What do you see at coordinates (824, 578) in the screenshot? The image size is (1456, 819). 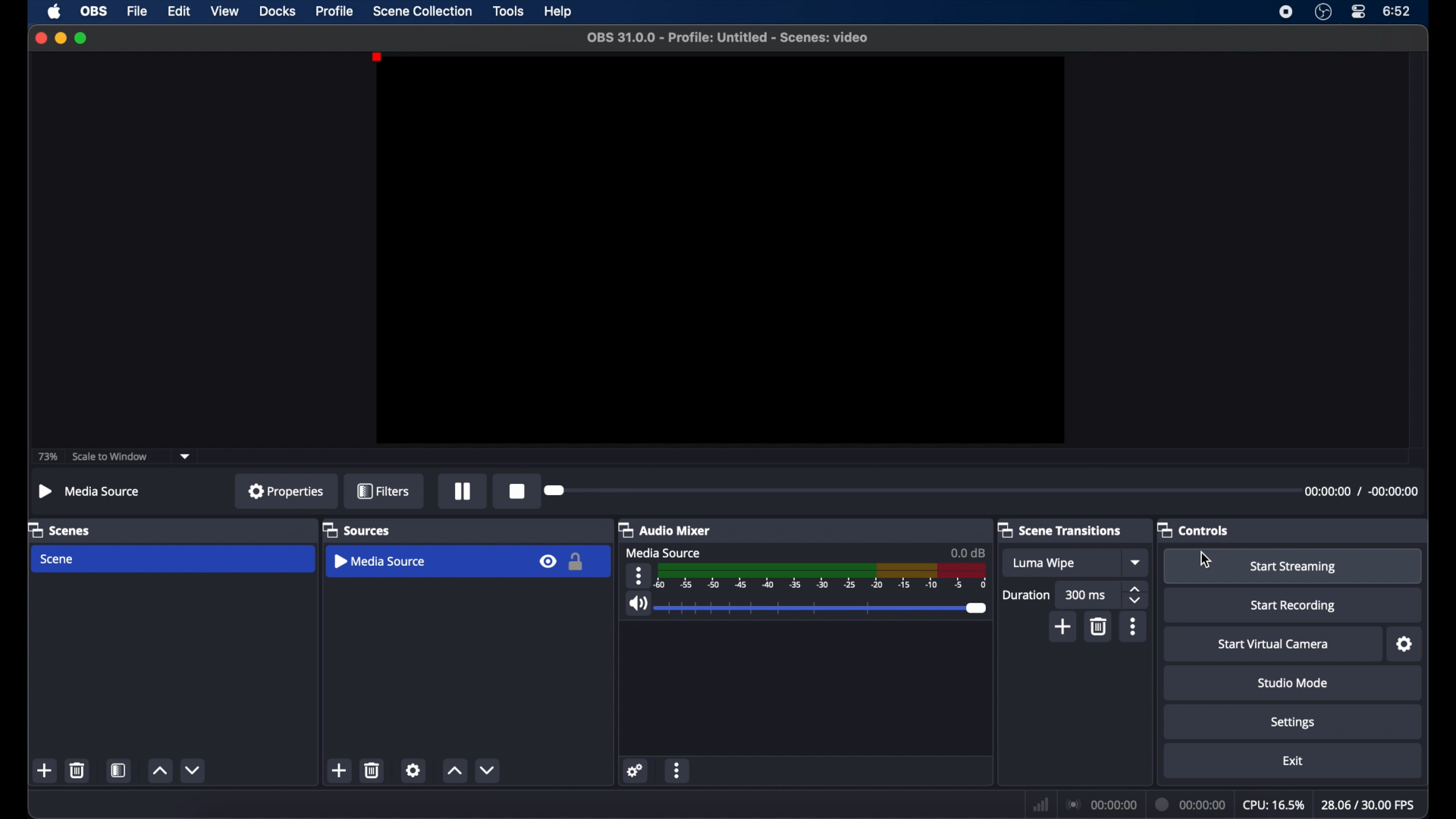 I see `timeline` at bounding box center [824, 578].